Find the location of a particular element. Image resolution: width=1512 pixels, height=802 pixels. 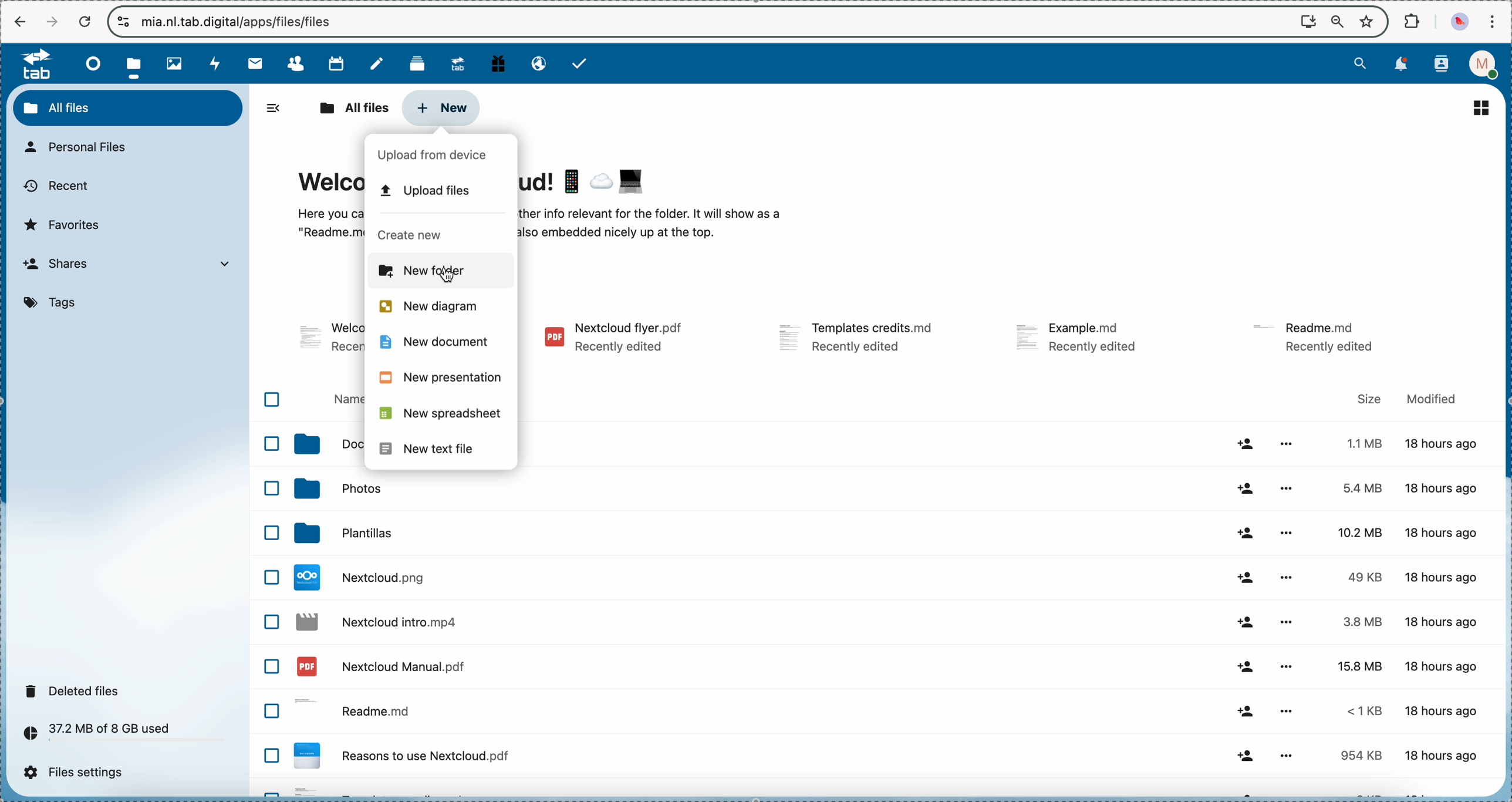

files settings is located at coordinates (79, 773).